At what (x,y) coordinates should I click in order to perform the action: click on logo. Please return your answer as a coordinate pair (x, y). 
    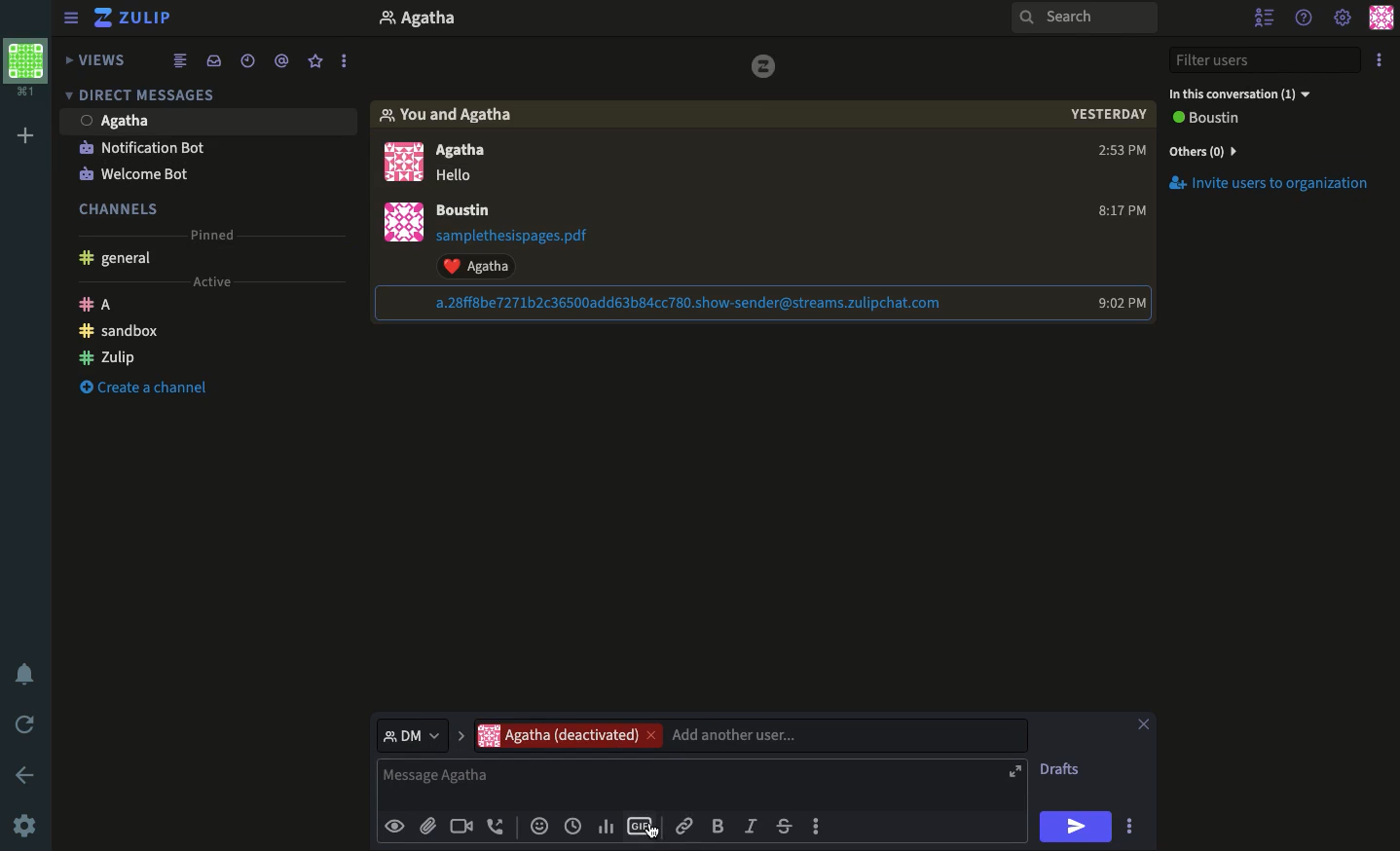
    Looking at the image, I should click on (765, 68).